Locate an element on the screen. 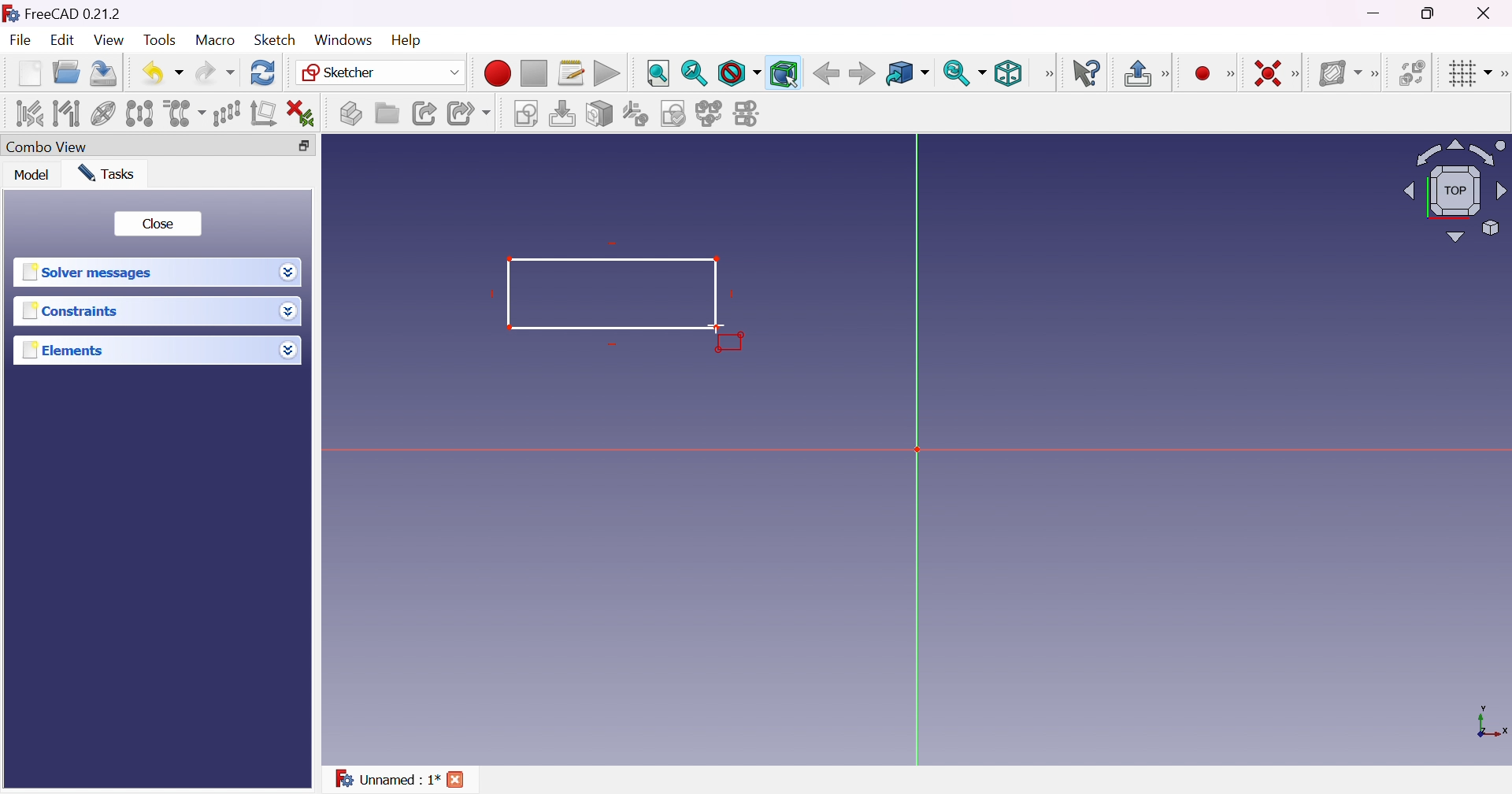 Image resolution: width=1512 pixels, height=794 pixels. Rectangular array is located at coordinates (226, 114).